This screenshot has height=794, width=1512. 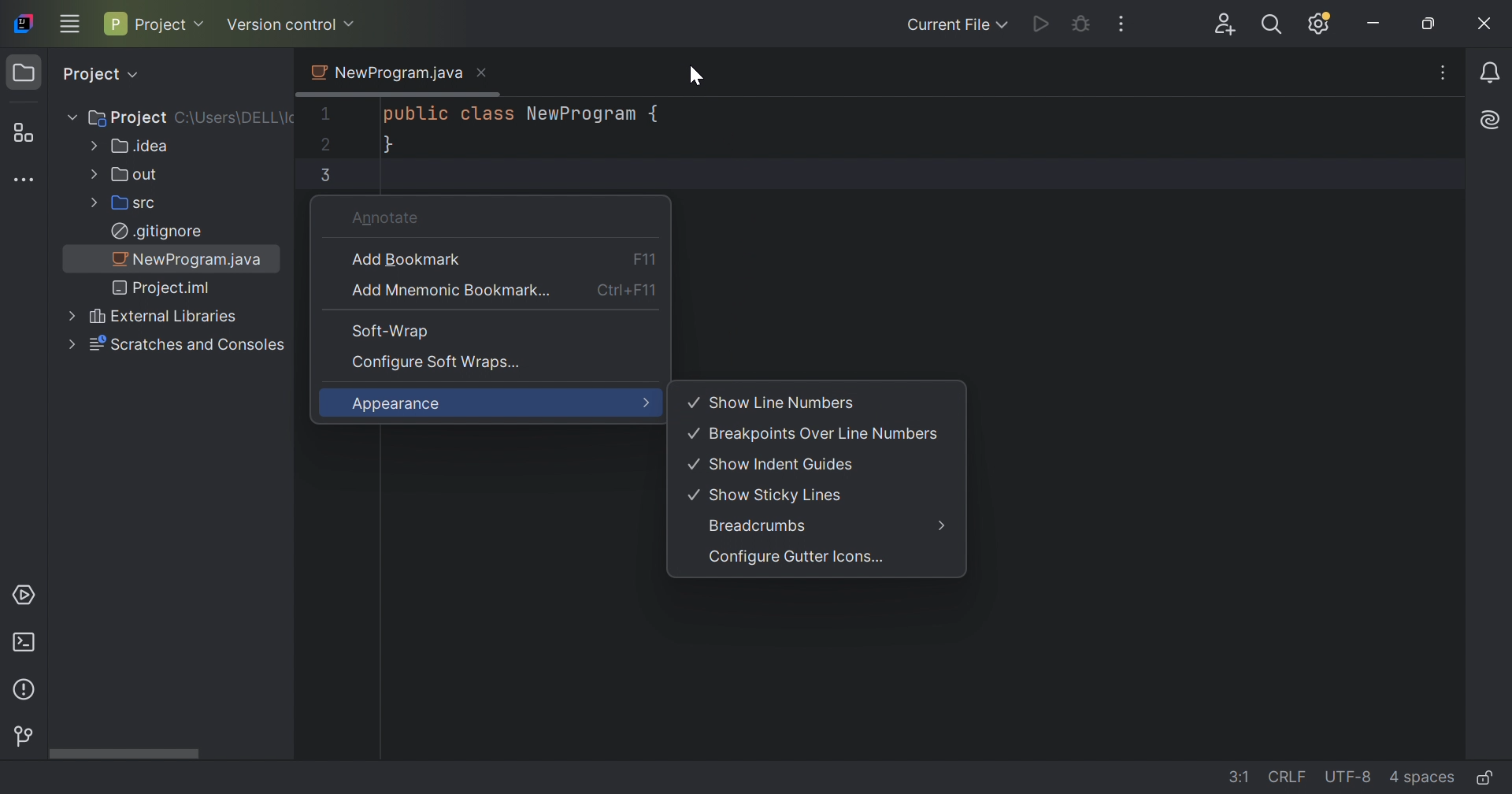 What do you see at coordinates (1347, 777) in the screenshot?
I see `UTF-8` at bounding box center [1347, 777].